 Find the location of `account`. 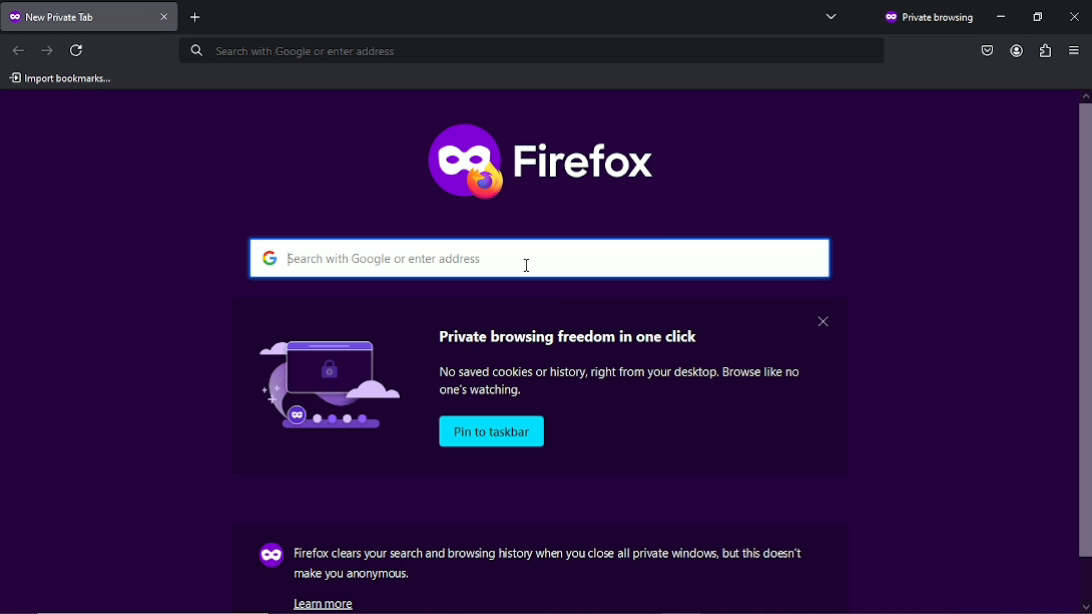

account is located at coordinates (1014, 51).